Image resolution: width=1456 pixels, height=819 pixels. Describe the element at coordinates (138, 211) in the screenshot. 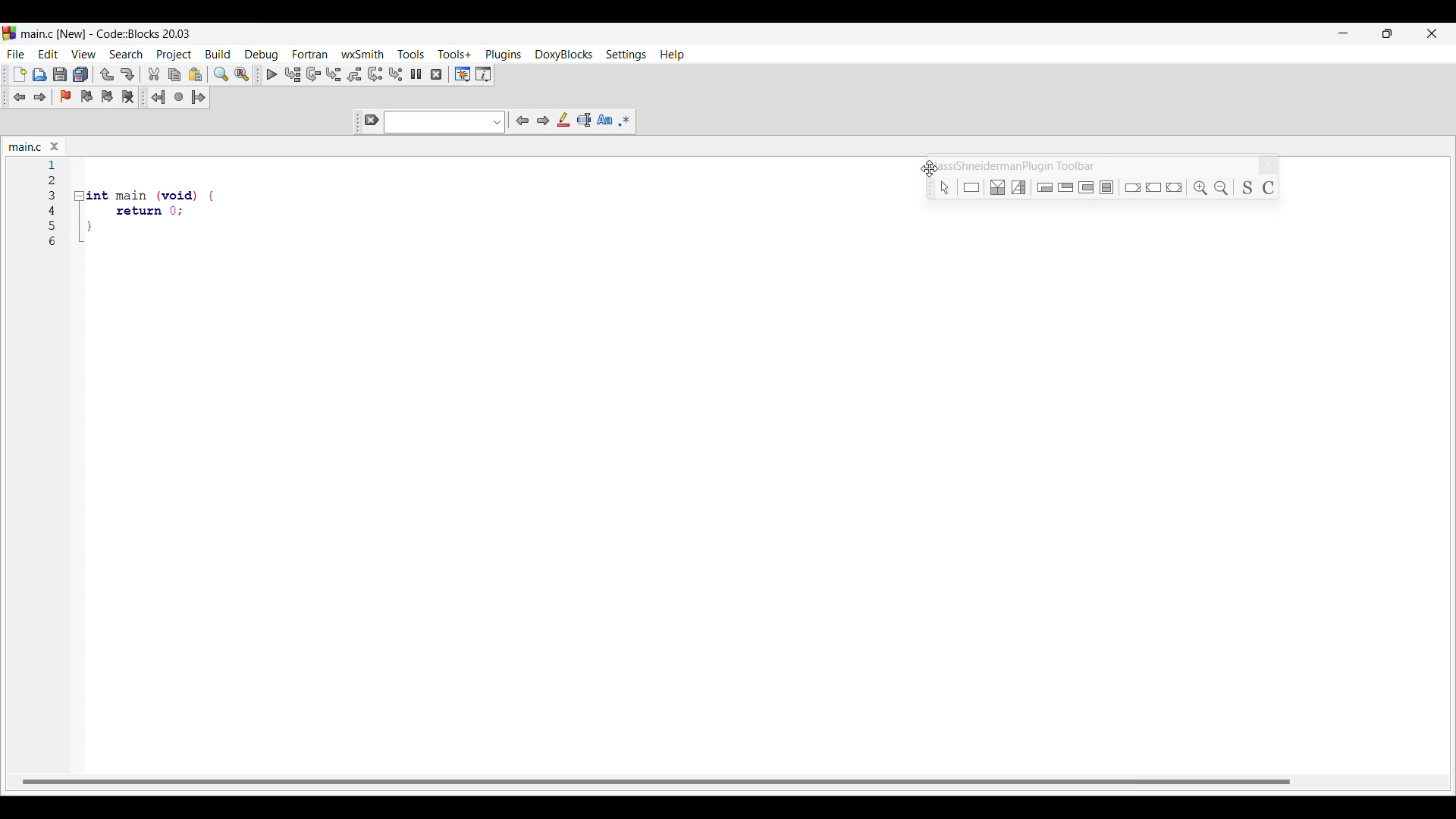

I see `` at that location.